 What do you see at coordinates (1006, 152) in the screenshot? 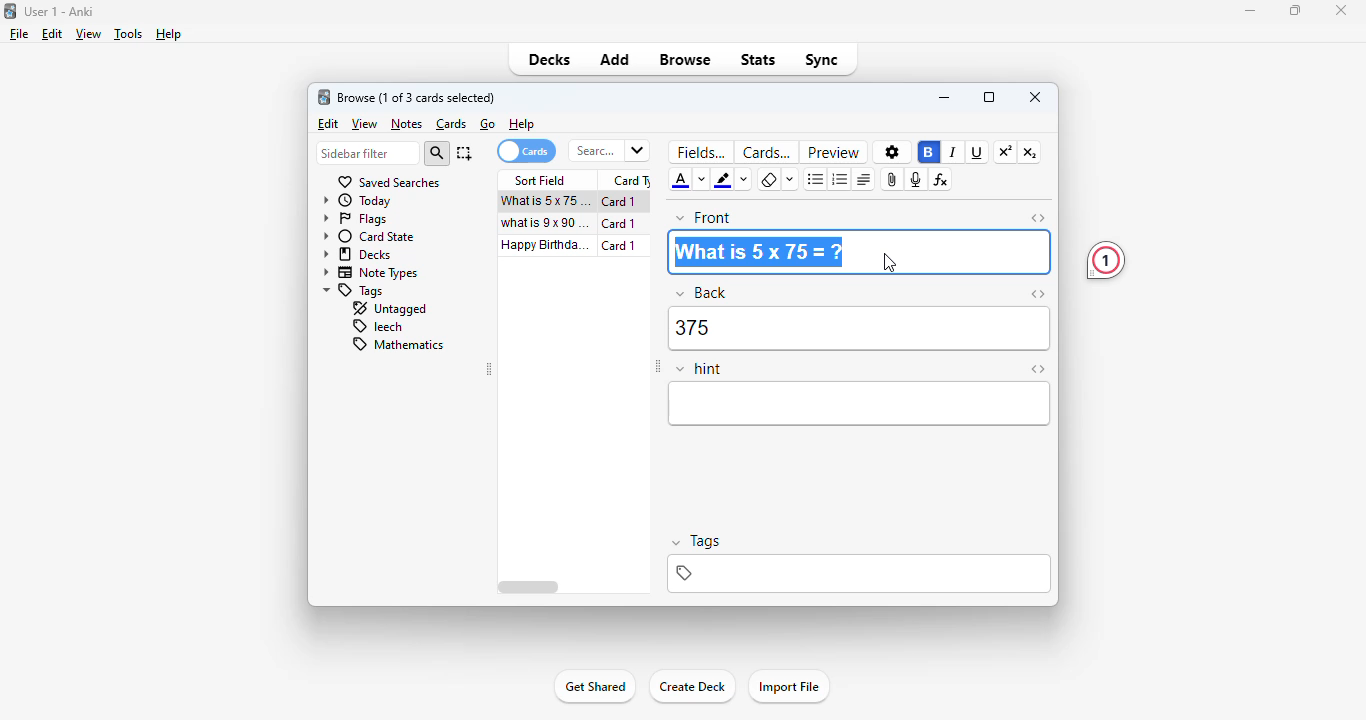
I see `superscript` at bounding box center [1006, 152].